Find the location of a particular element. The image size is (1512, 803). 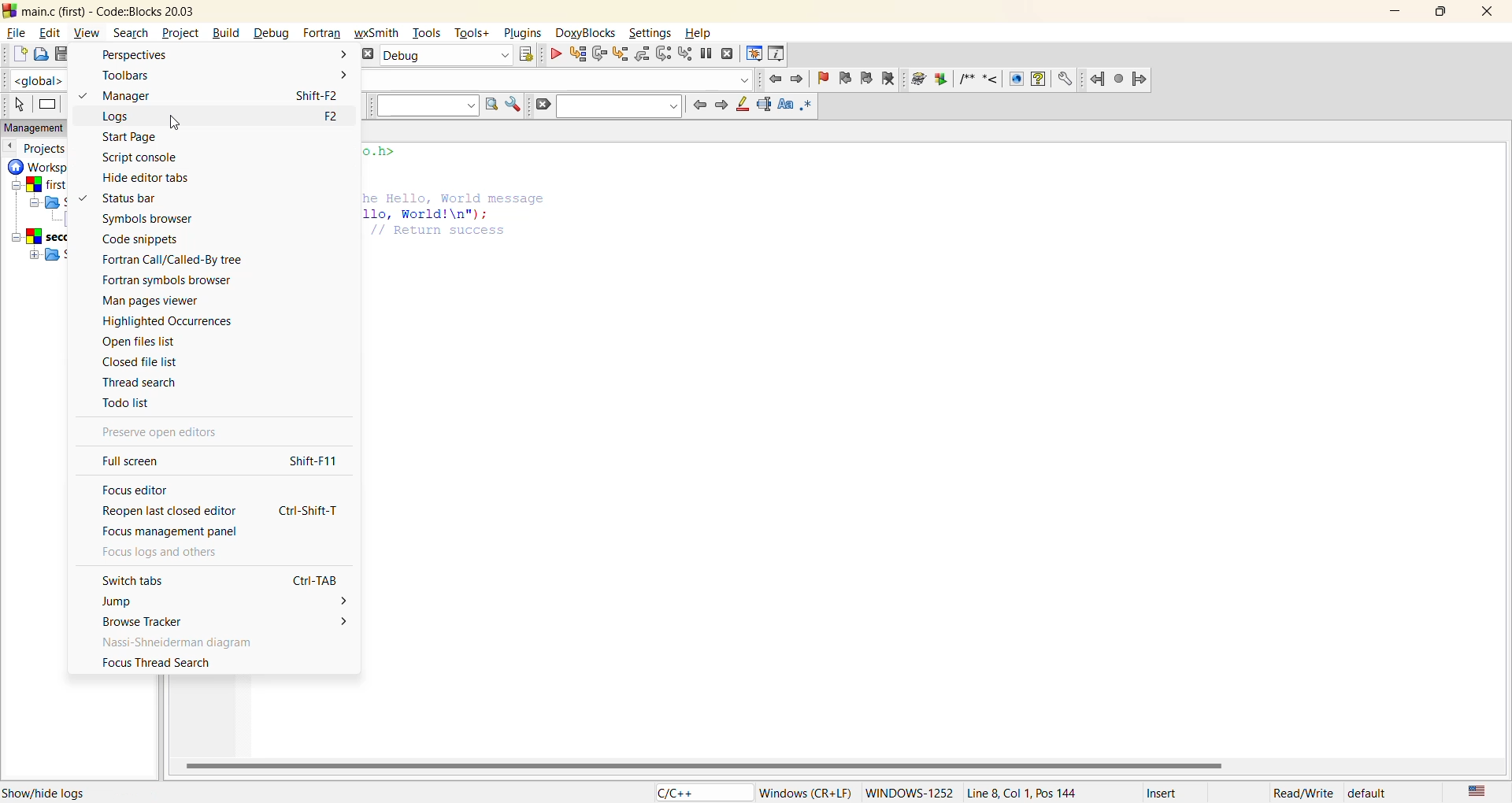

management is located at coordinates (44, 126).